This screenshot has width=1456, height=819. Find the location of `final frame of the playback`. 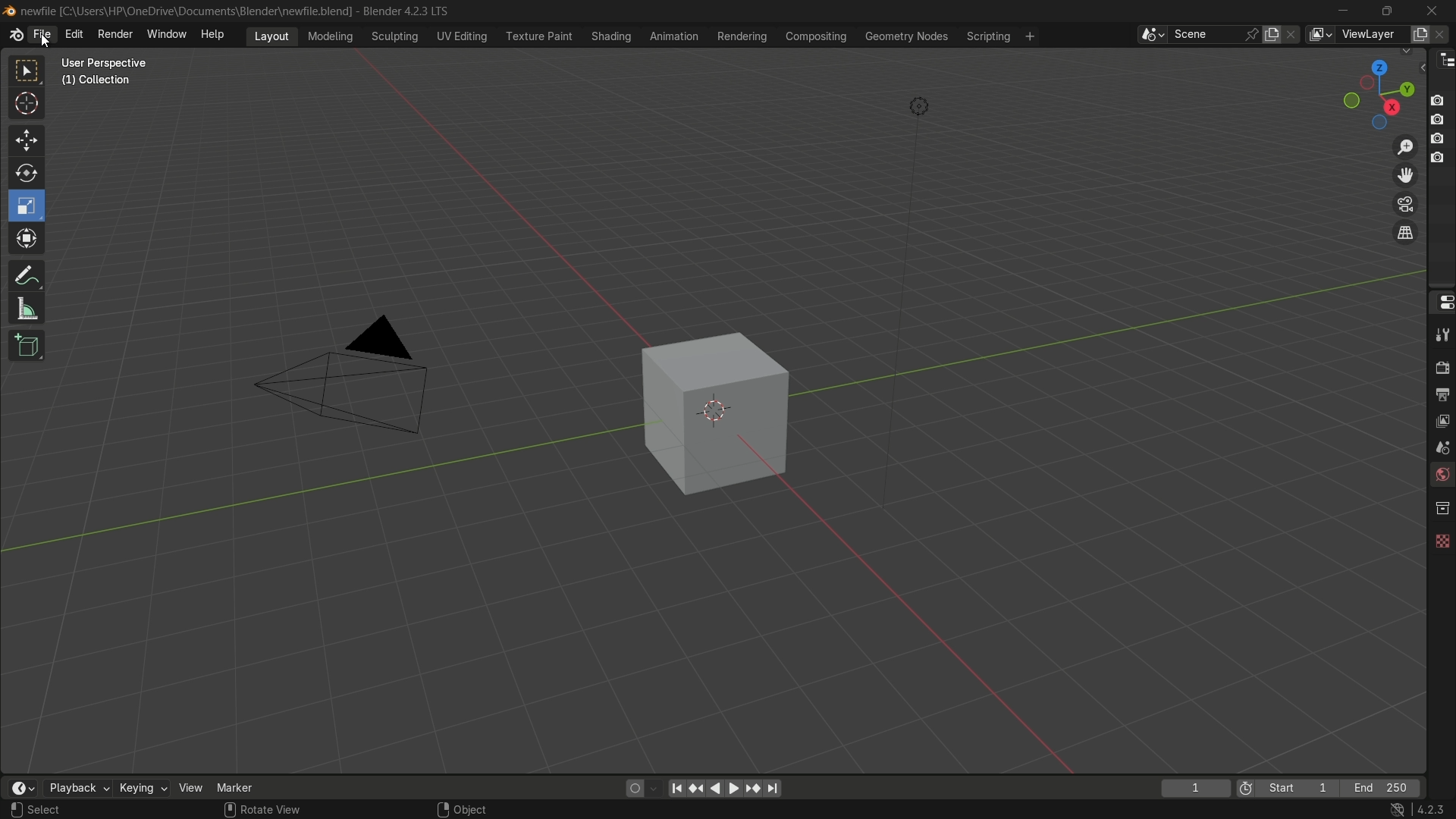

final frame of the playback is located at coordinates (1382, 789).